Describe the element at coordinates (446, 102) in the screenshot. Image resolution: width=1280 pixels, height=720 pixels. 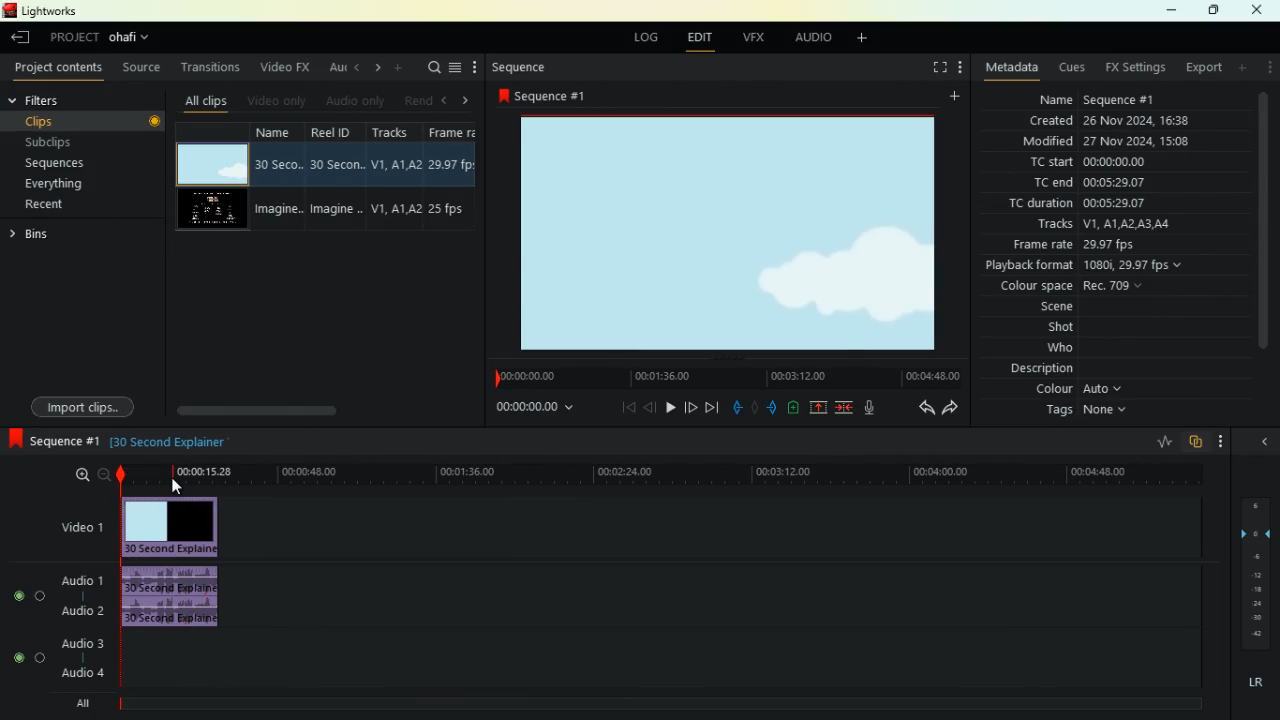
I see `left` at that location.